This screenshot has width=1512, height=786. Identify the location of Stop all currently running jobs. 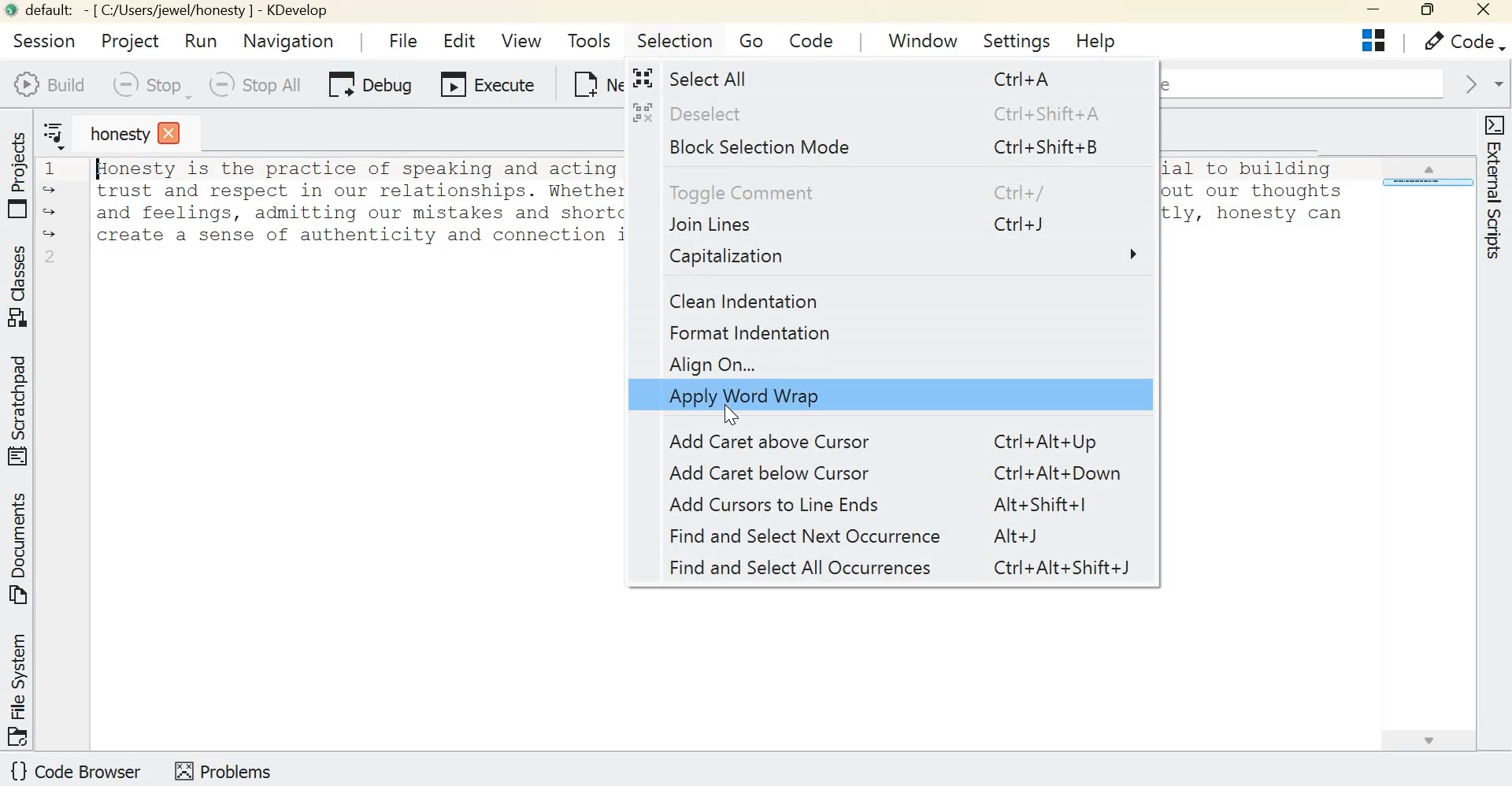
(253, 85).